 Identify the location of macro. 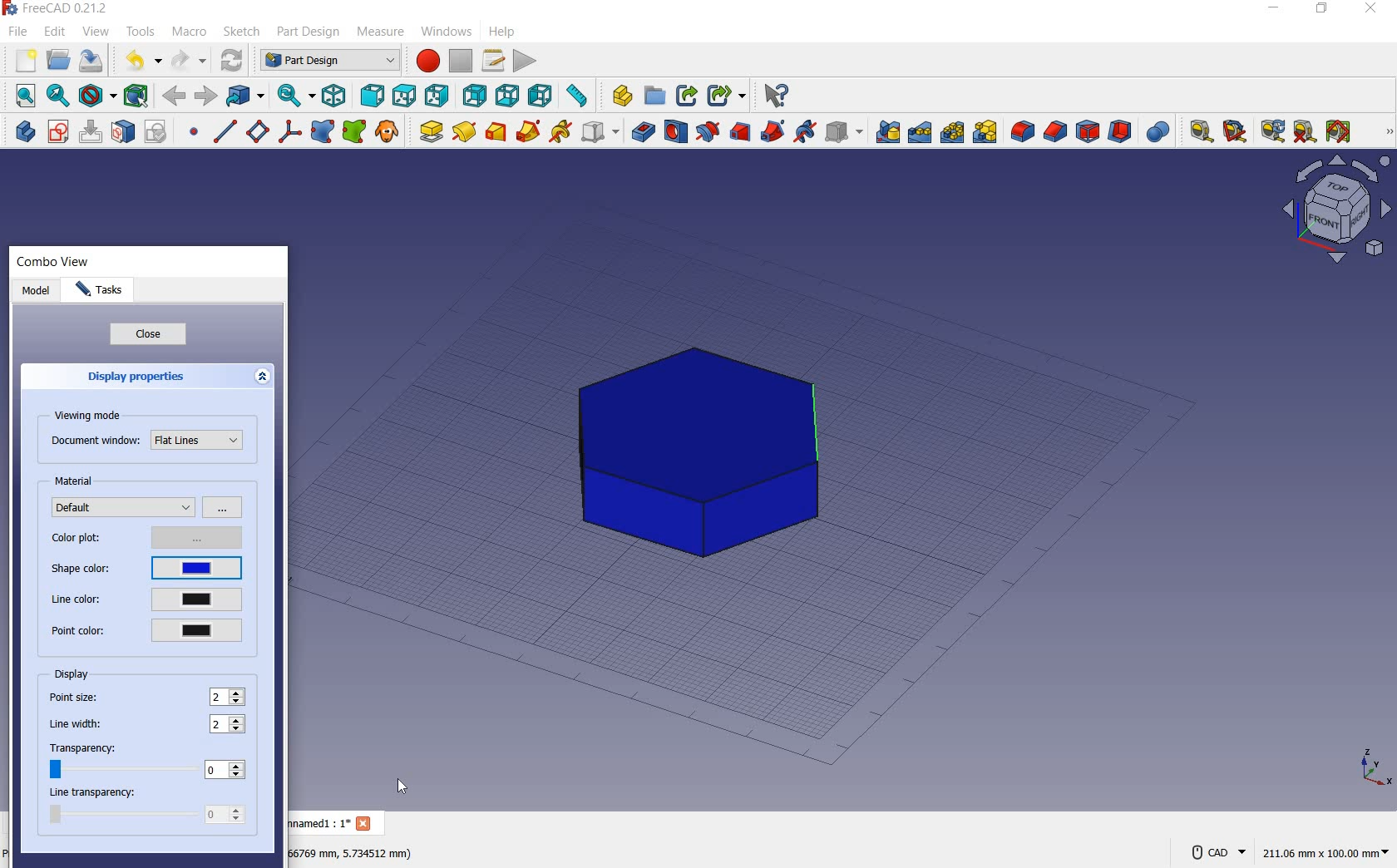
(190, 32).